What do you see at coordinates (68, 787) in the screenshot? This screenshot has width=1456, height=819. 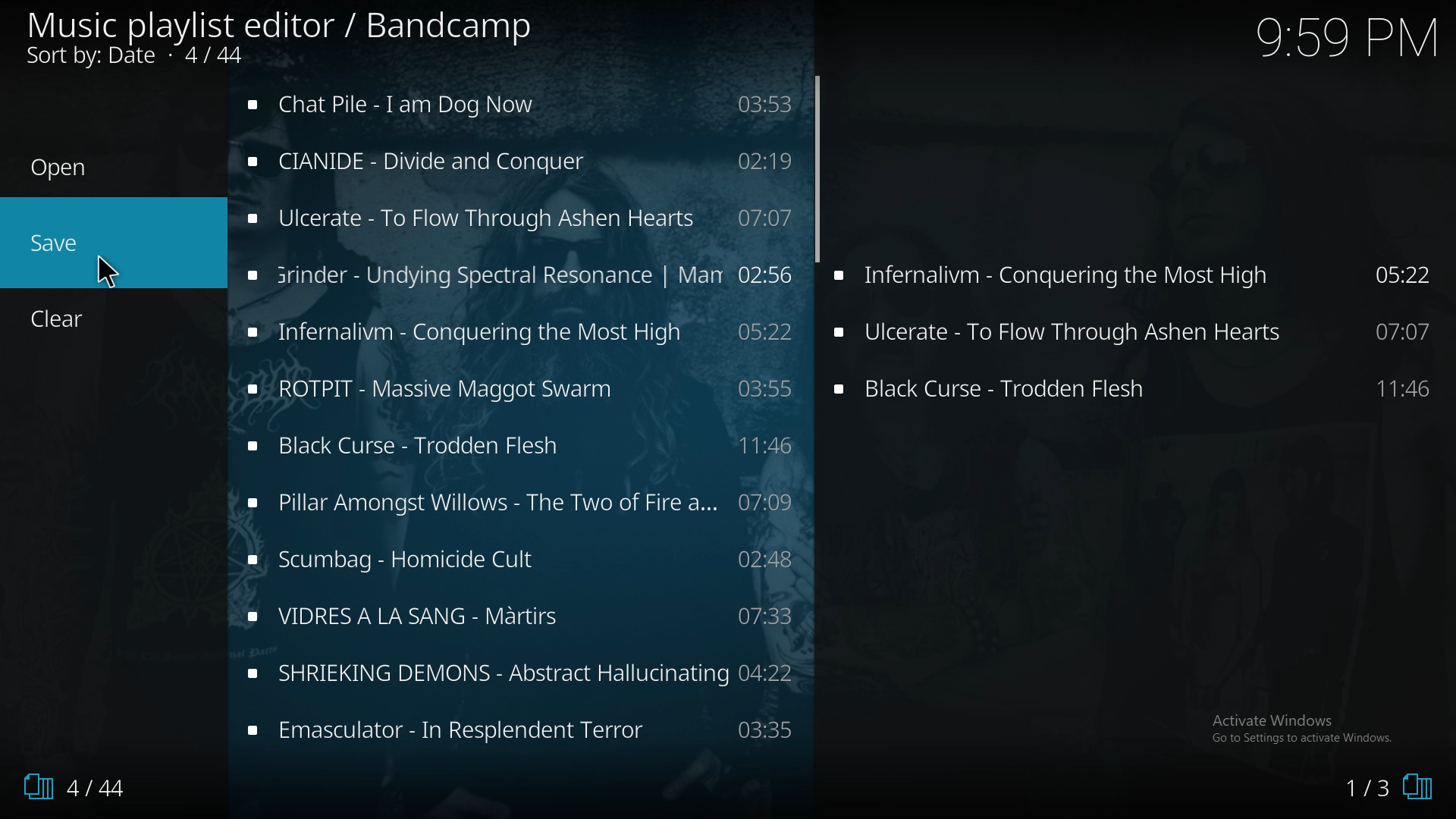 I see `7/44` at bounding box center [68, 787].